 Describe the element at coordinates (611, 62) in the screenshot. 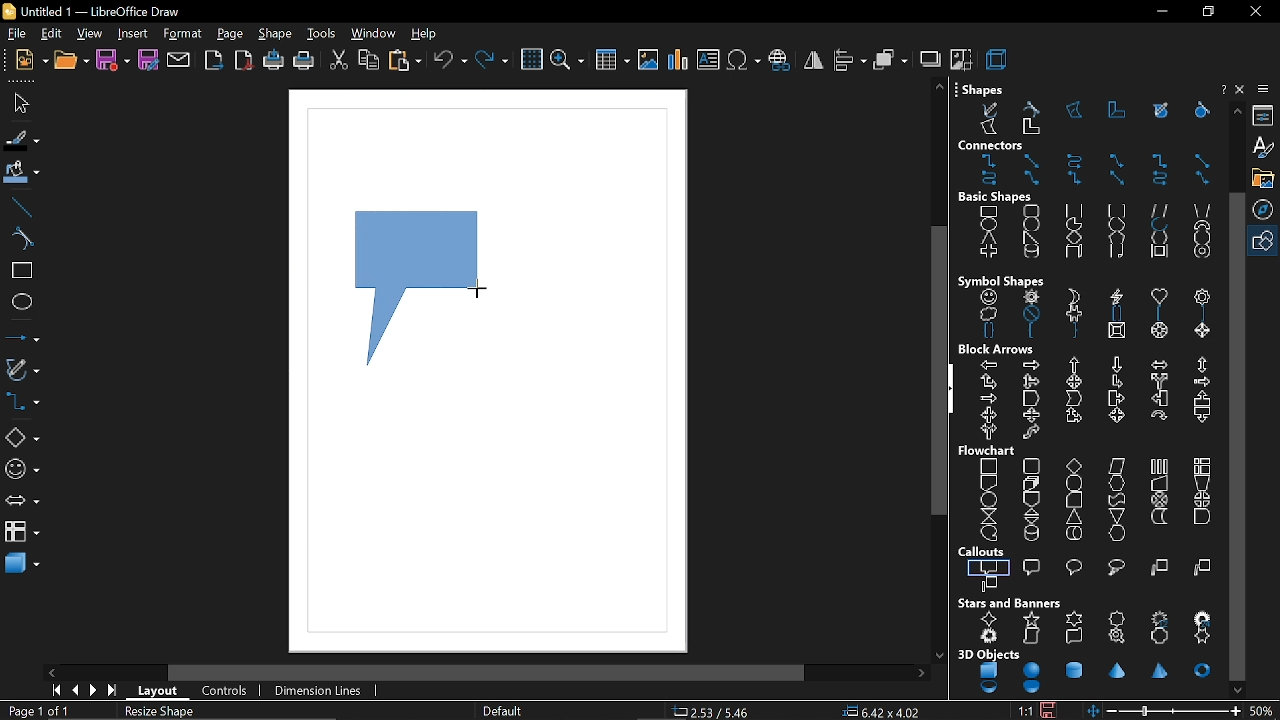

I see `insert table` at that location.